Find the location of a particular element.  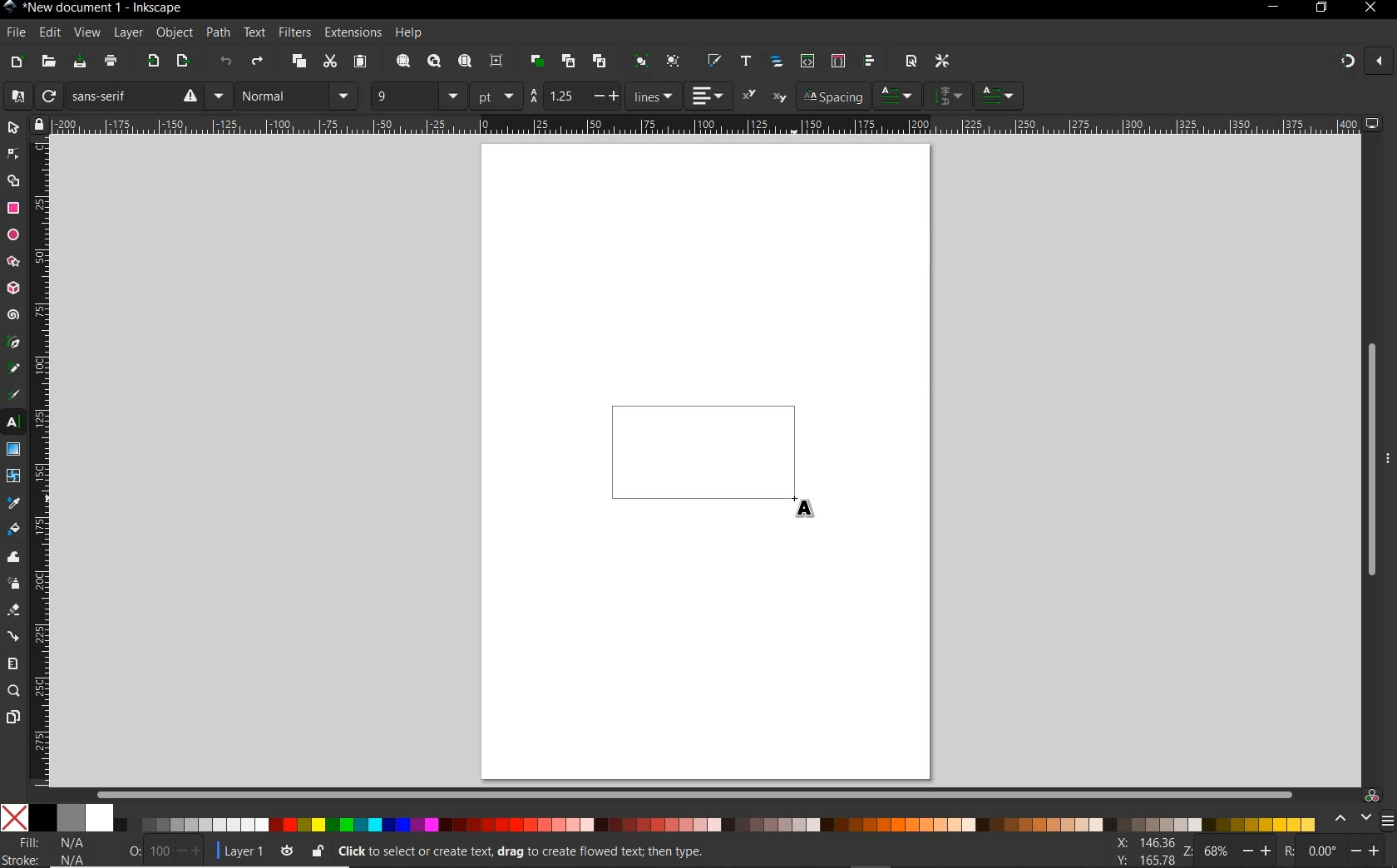

help is located at coordinates (410, 33).